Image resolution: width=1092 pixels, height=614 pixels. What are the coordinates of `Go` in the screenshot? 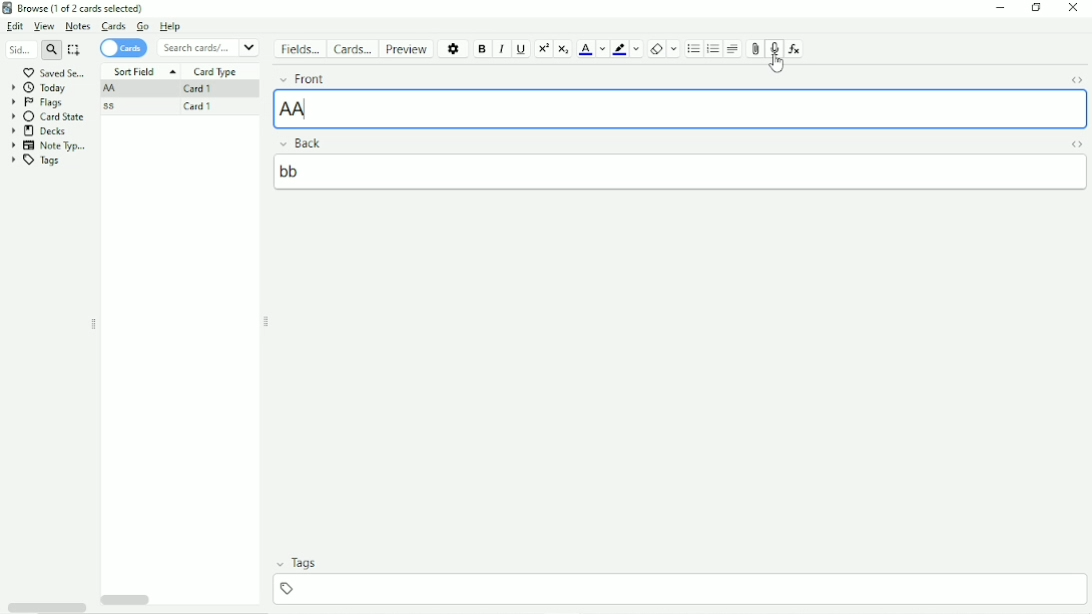 It's located at (143, 26).